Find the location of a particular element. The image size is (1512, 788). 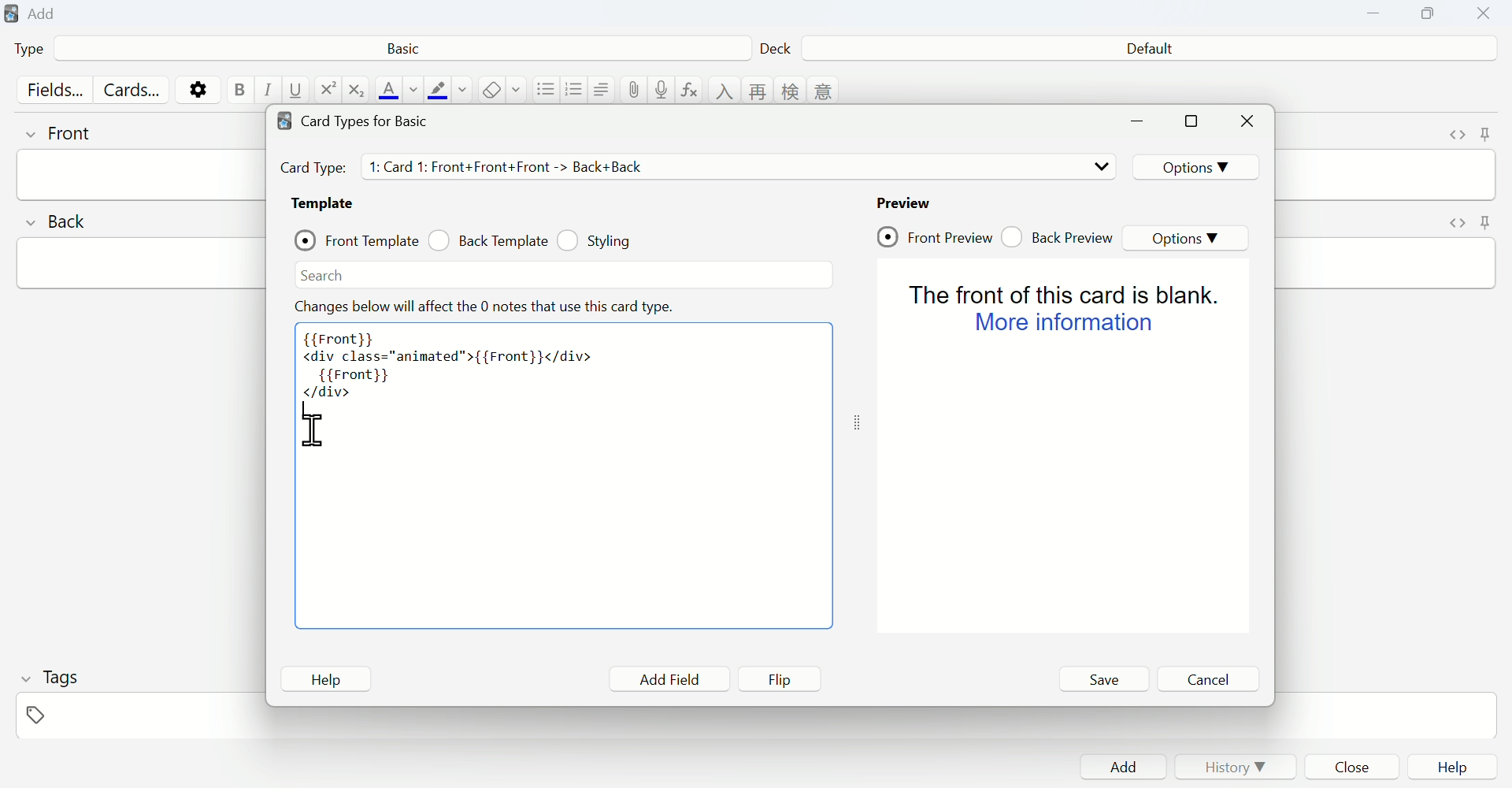

back is located at coordinates (64, 221).